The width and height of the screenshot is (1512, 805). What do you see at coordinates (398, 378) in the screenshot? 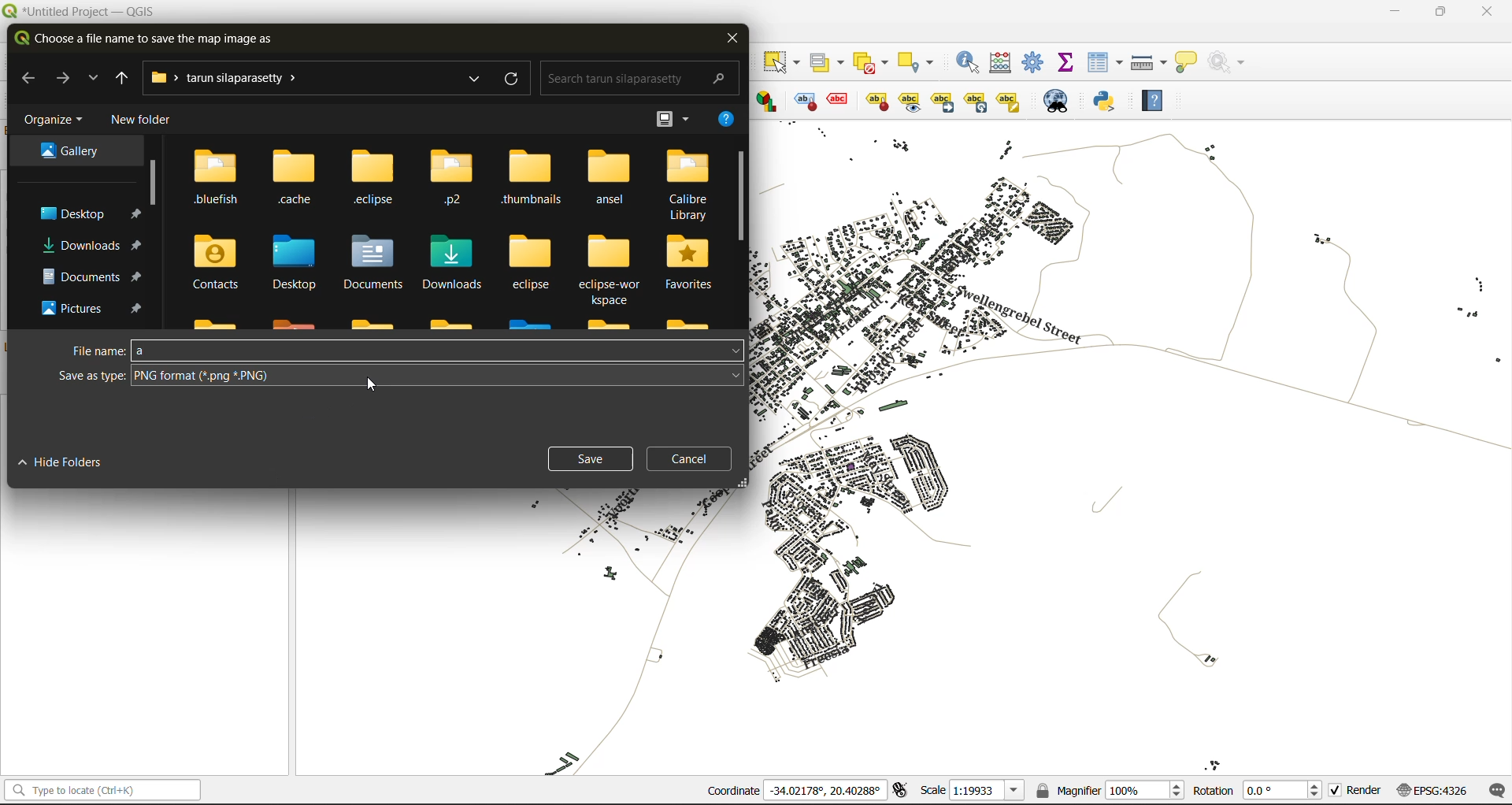
I see `save as type` at bounding box center [398, 378].